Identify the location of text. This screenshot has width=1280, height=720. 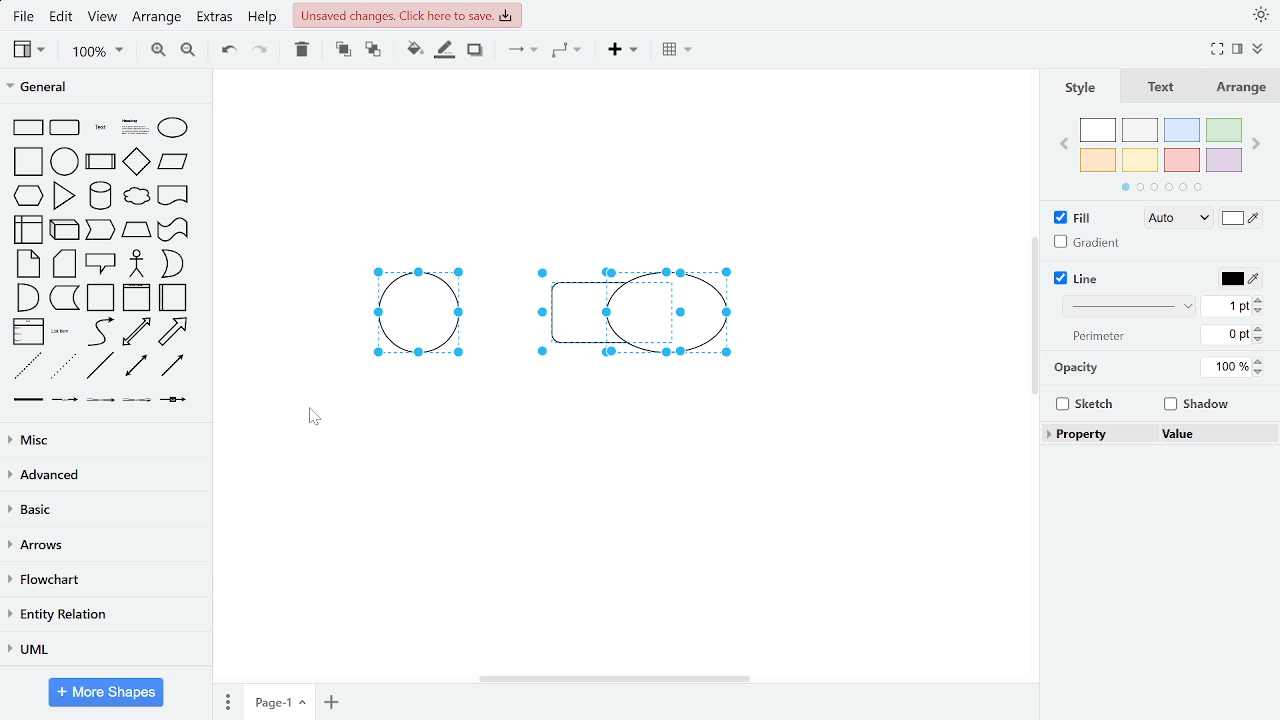
(101, 127).